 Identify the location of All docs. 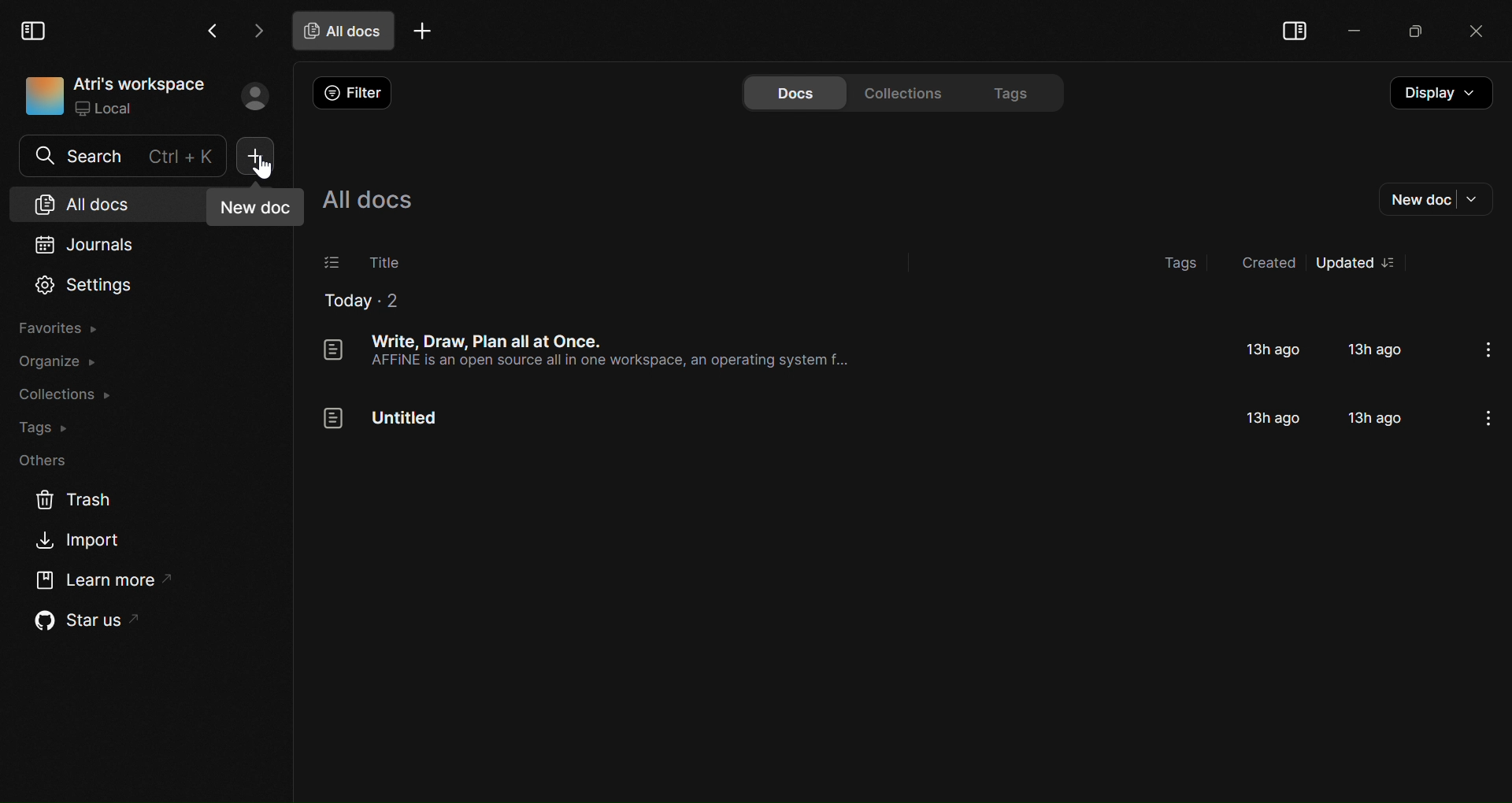
(366, 200).